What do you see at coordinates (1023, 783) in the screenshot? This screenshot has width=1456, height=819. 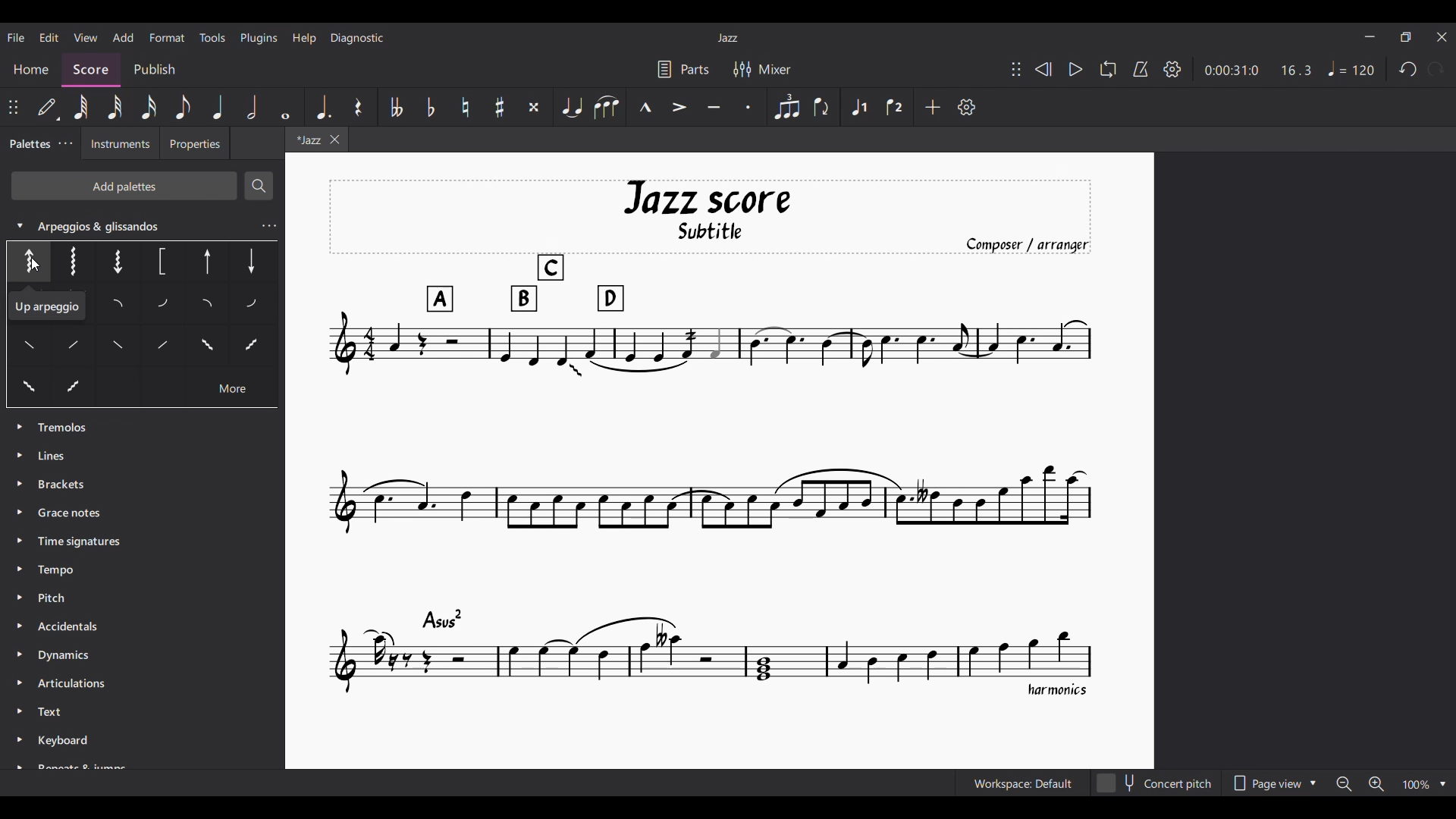 I see `Current workspace setting` at bounding box center [1023, 783].